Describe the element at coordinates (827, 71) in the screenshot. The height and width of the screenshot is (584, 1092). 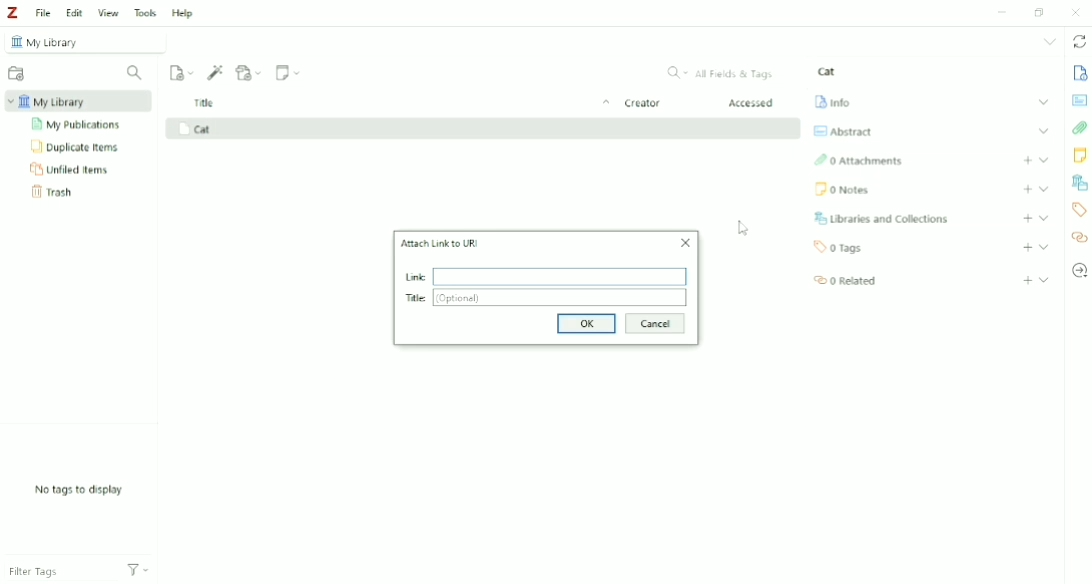
I see `Cat` at that location.